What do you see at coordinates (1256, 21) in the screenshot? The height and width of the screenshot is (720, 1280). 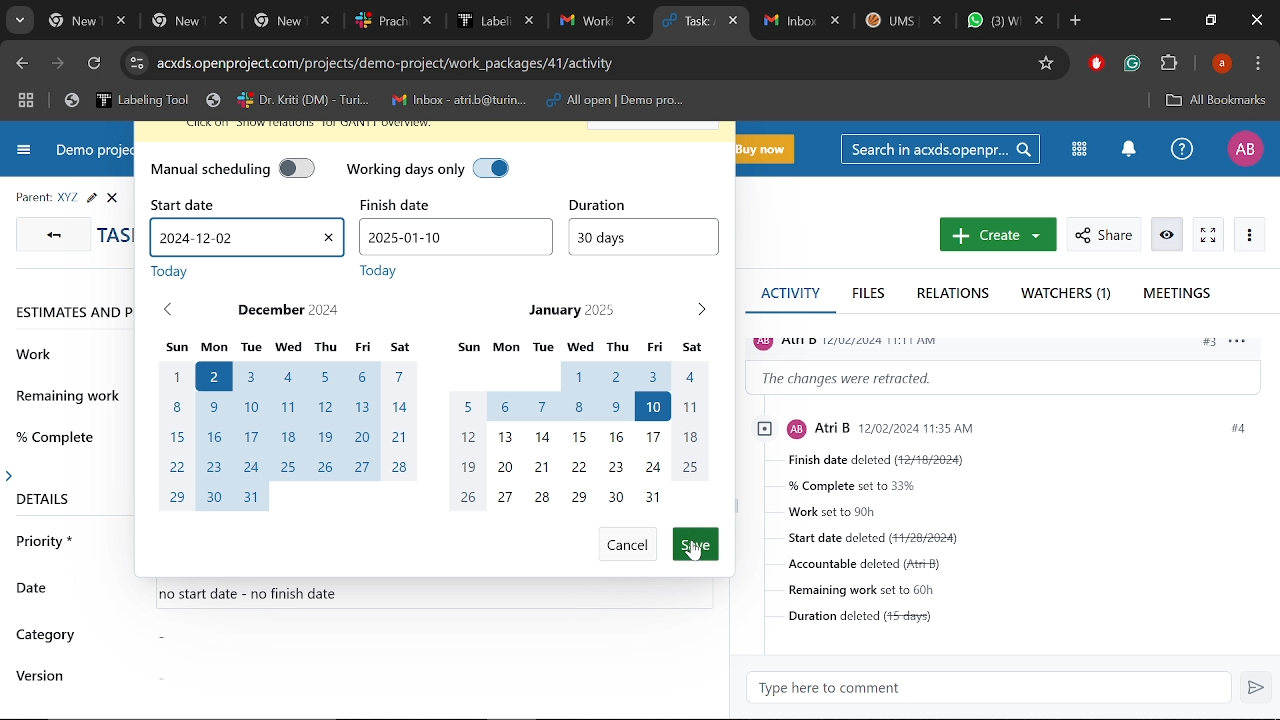 I see `Close` at bounding box center [1256, 21].